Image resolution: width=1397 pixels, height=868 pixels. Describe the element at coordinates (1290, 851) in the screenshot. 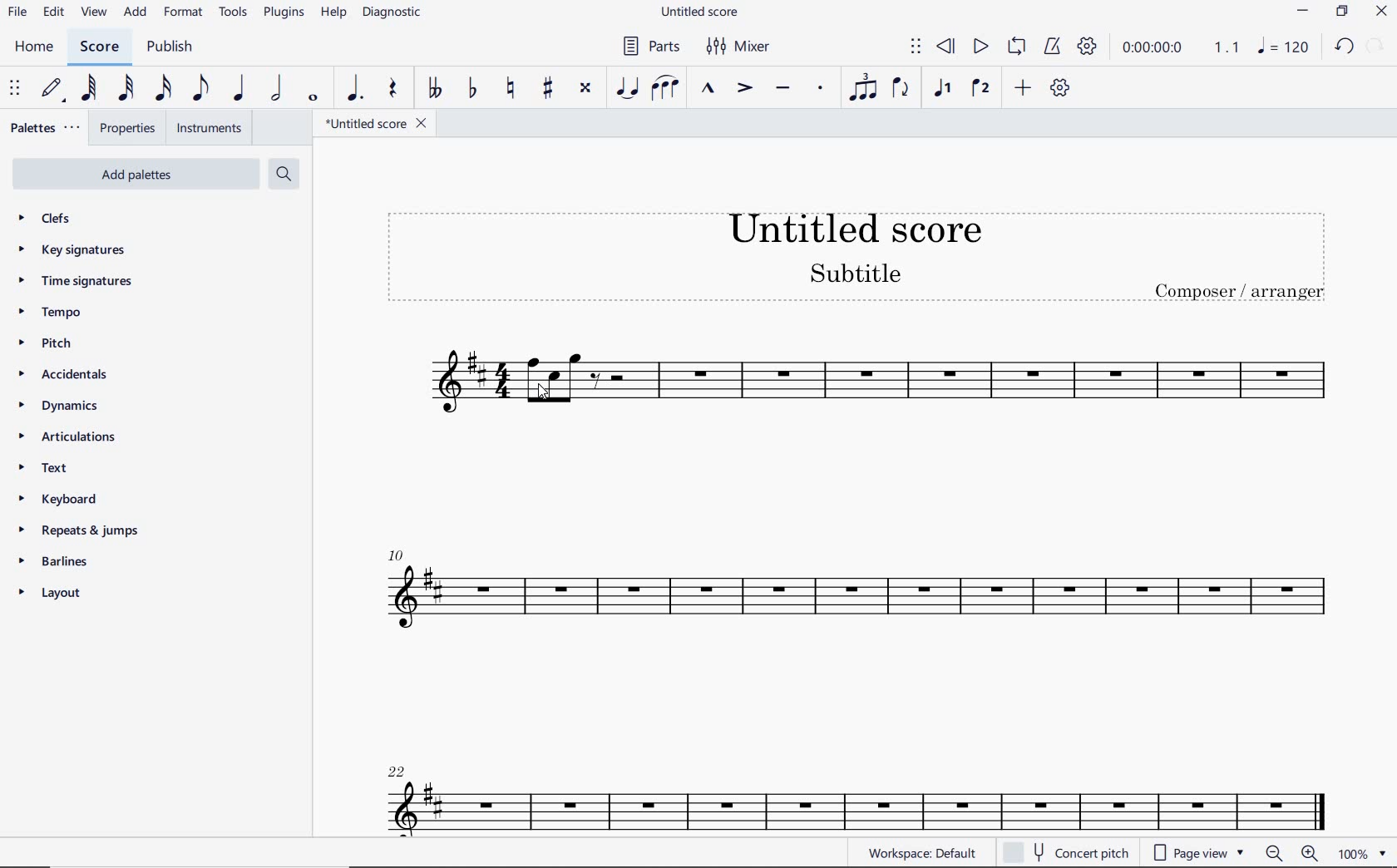

I see `ZOOM OUT OR ZOOM IN` at that location.